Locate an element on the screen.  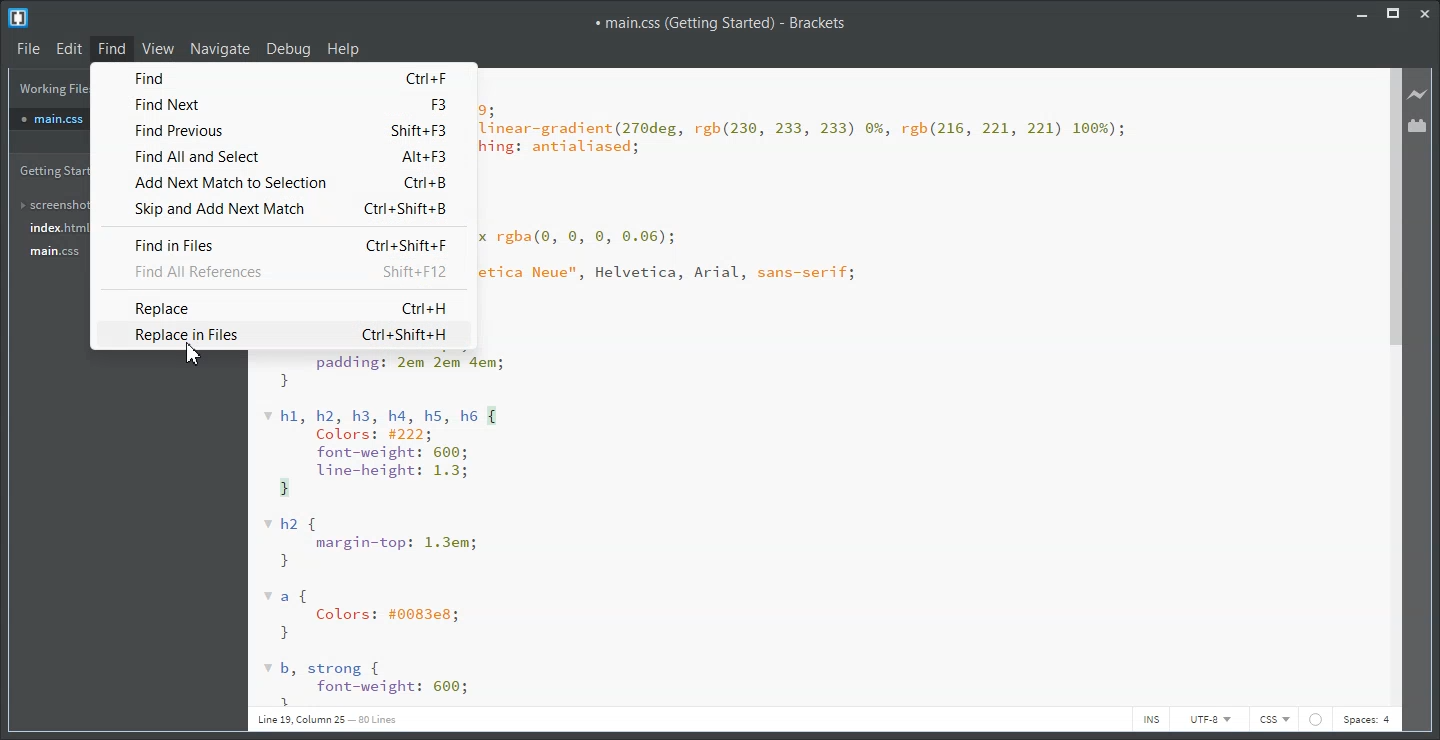
Navigate is located at coordinates (220, 48).